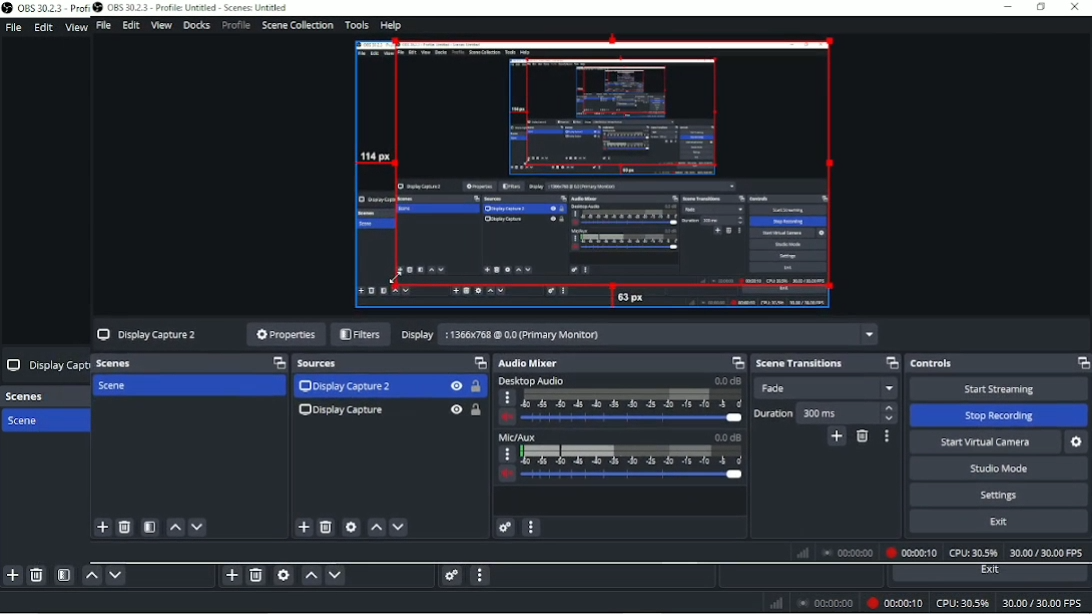 The height and width of the screenshot is (614, 1092). Describe the element at coordinates (161, 26) in the screenshot. I see `View` at that location.